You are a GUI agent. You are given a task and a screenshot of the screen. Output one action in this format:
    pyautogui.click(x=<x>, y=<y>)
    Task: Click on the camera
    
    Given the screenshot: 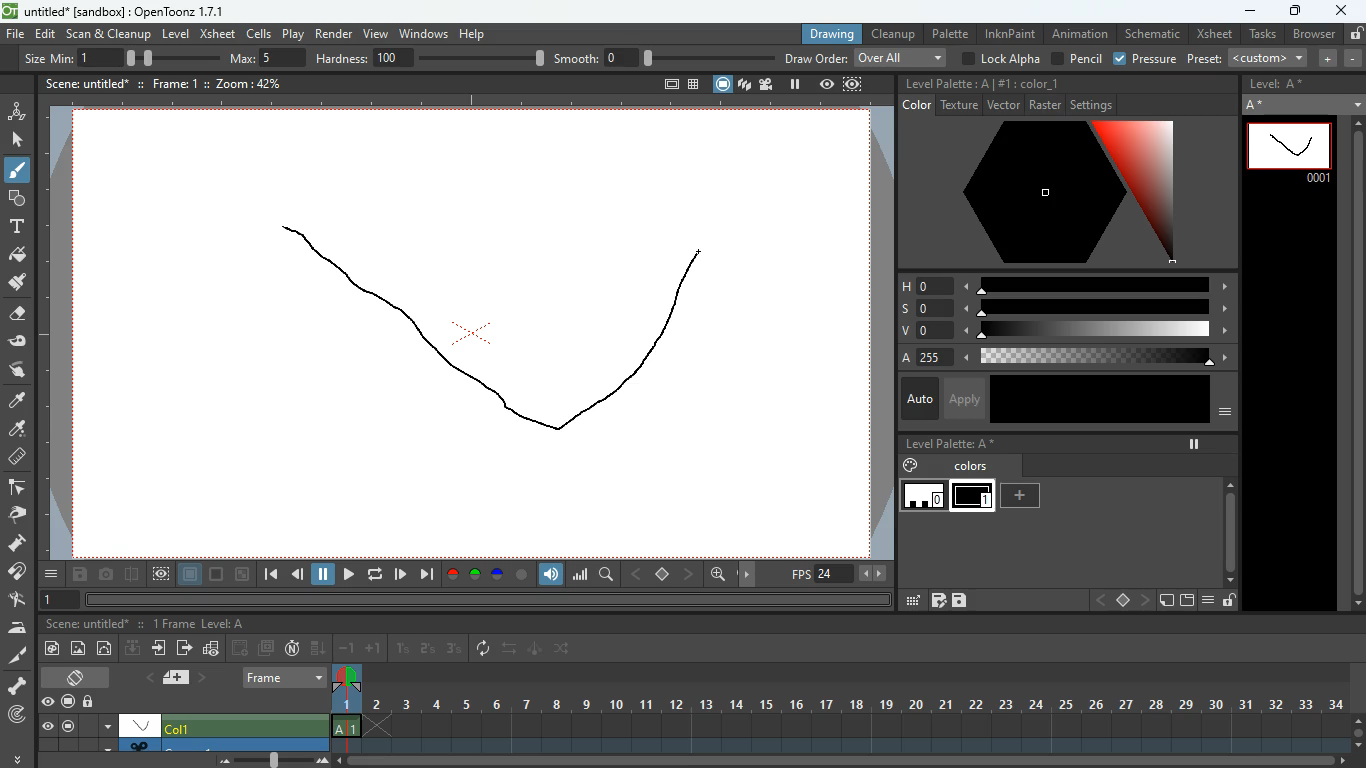 What is the action you would take?
    pyautogui.click(x=108, y=575)
    